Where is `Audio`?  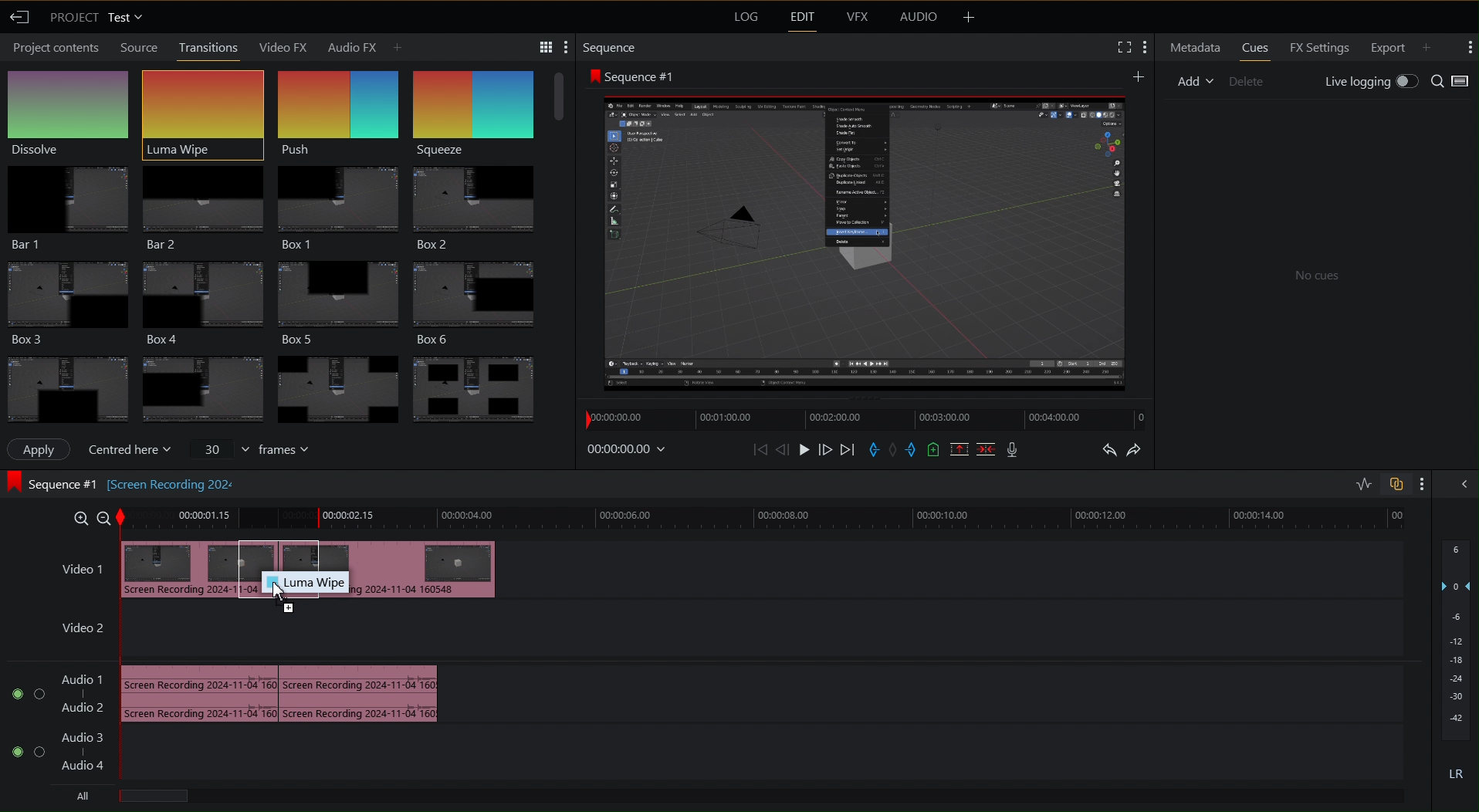 Audio is located at coordinates (919, 18).